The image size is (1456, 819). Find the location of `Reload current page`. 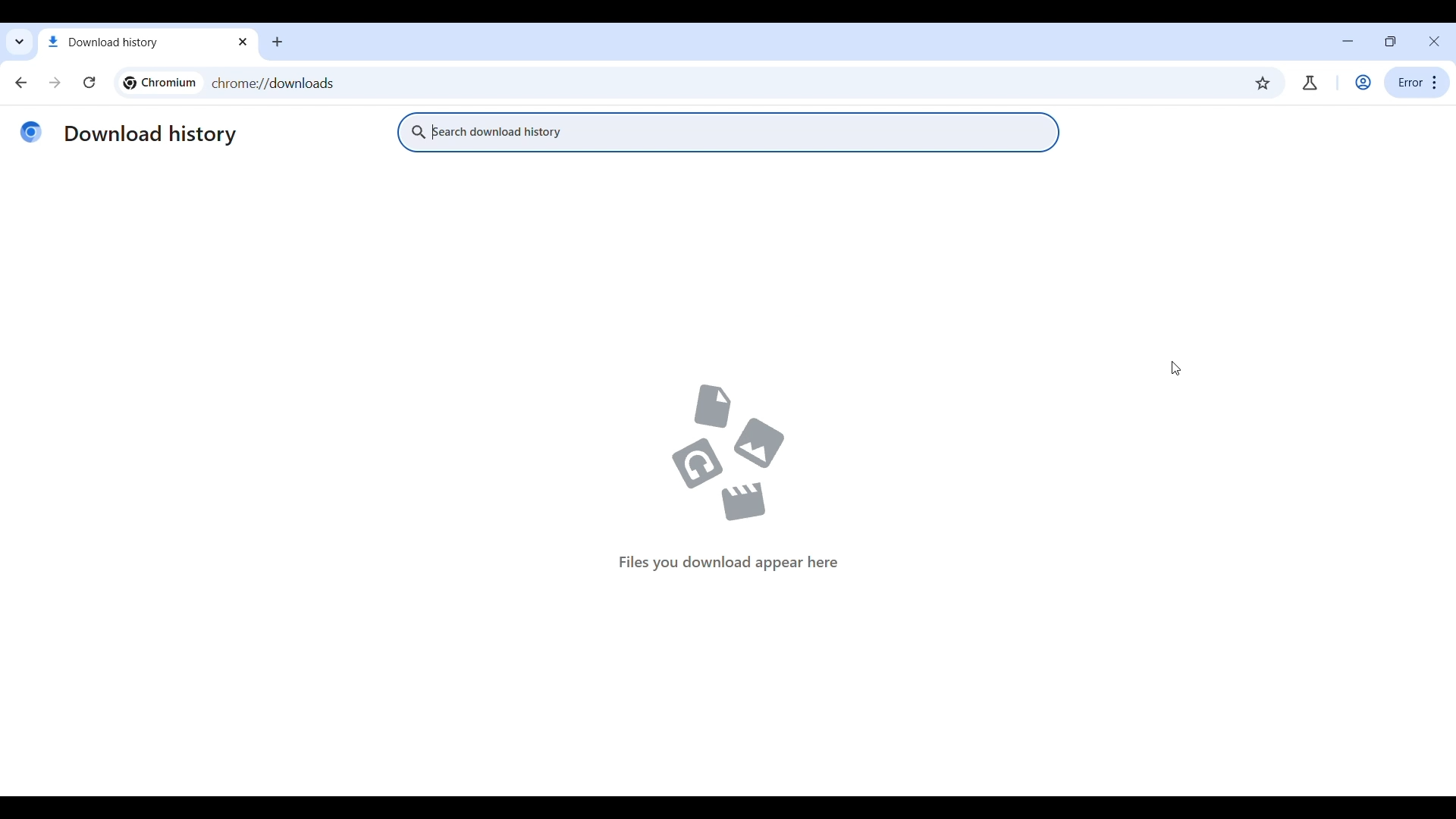

Reload current page is located at coordinates (89, 82).